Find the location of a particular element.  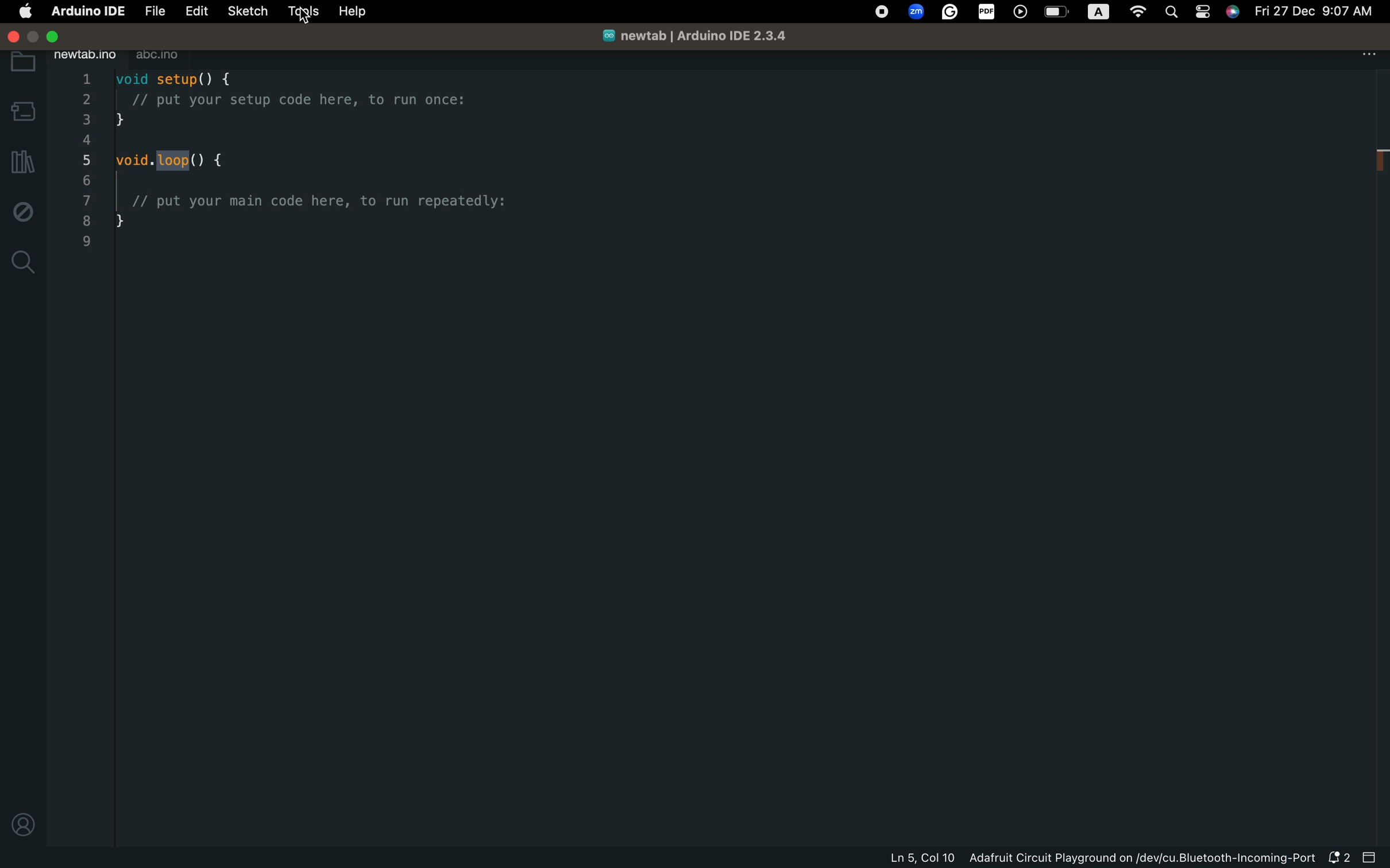

minimize is located at coordinates (34, 37).